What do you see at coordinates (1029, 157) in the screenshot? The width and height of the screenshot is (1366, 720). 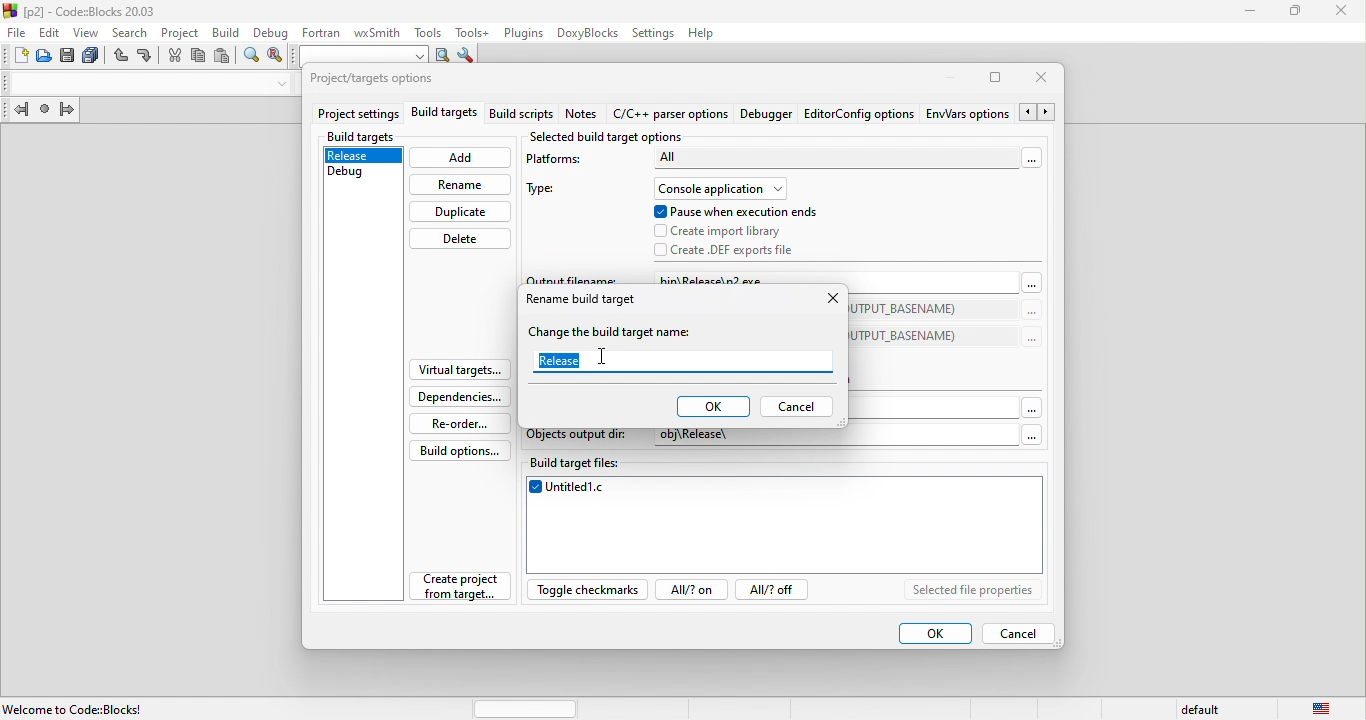 I see `more` at bounding box center [1029, 157].